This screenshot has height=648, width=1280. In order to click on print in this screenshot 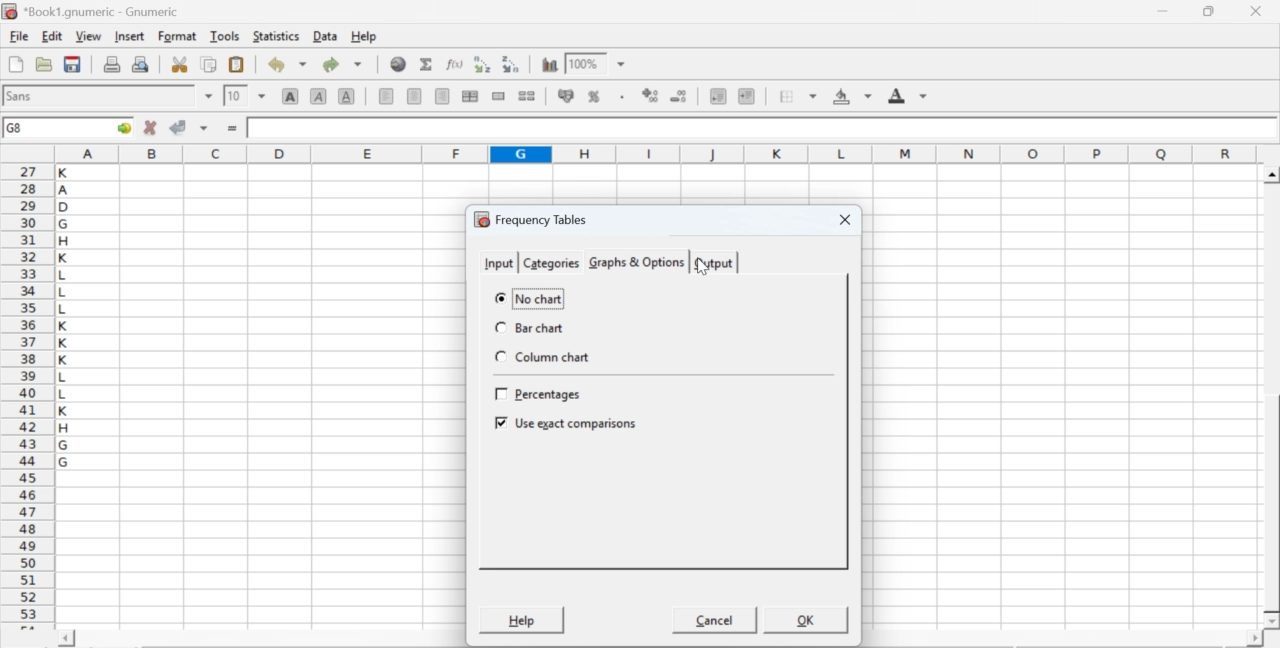, I will do `click(112, 63)`.